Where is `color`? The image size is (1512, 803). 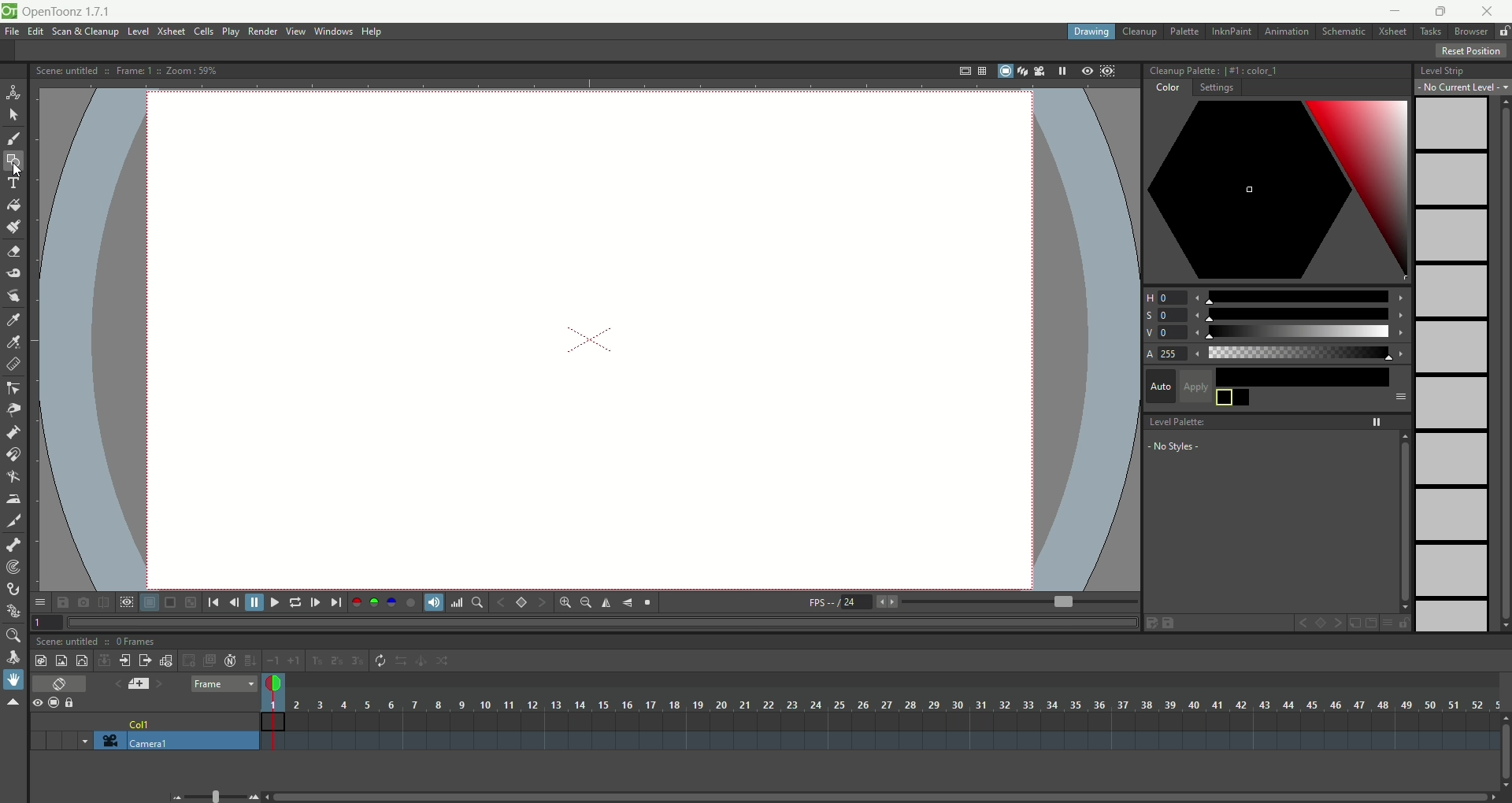 color is located at coordinates (1165, 90).